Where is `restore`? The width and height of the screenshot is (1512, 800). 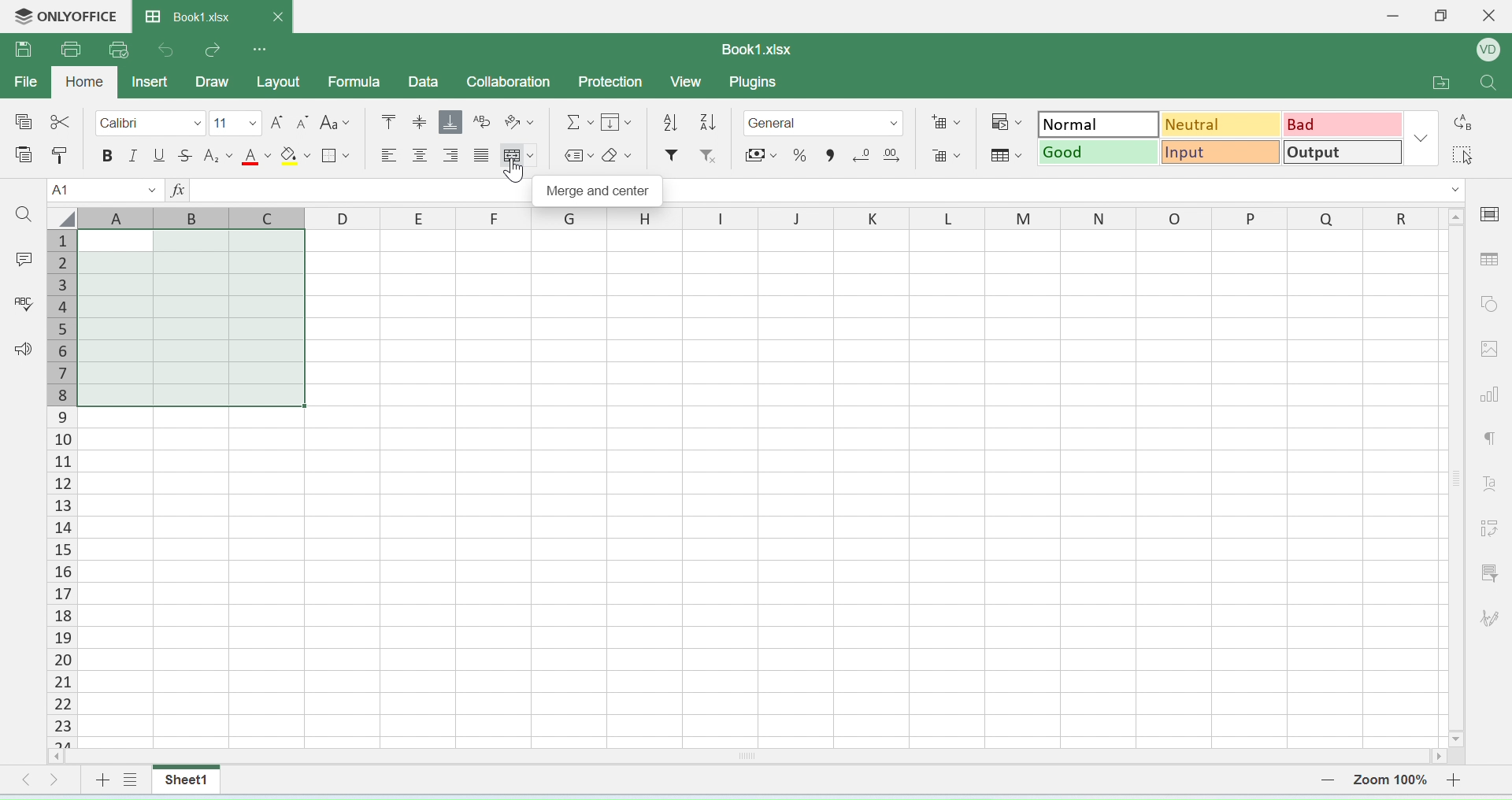 restore is located at coordinates (1441, 18).